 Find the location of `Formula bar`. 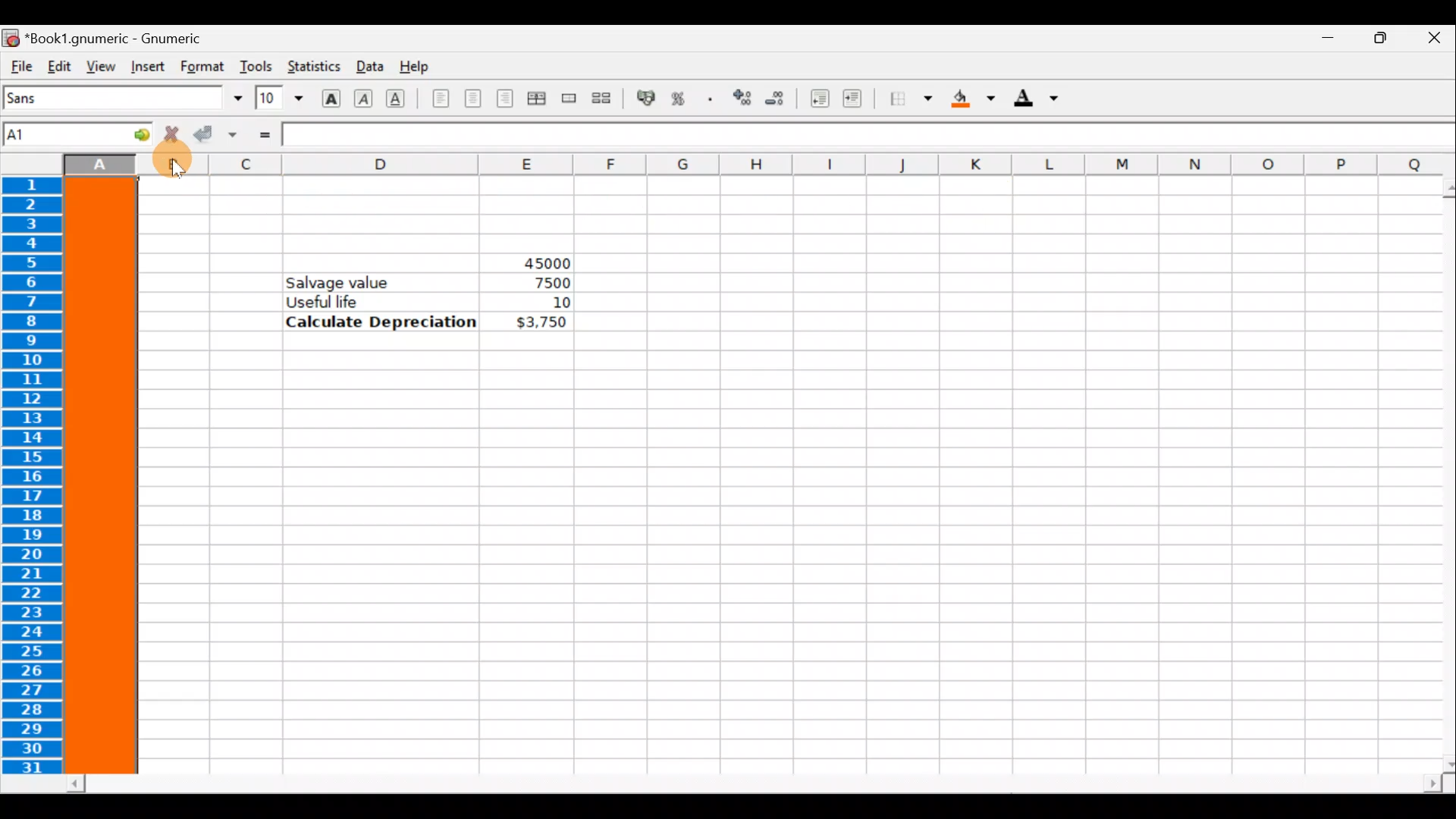

Formula bar is located at coordinates (864, 133).